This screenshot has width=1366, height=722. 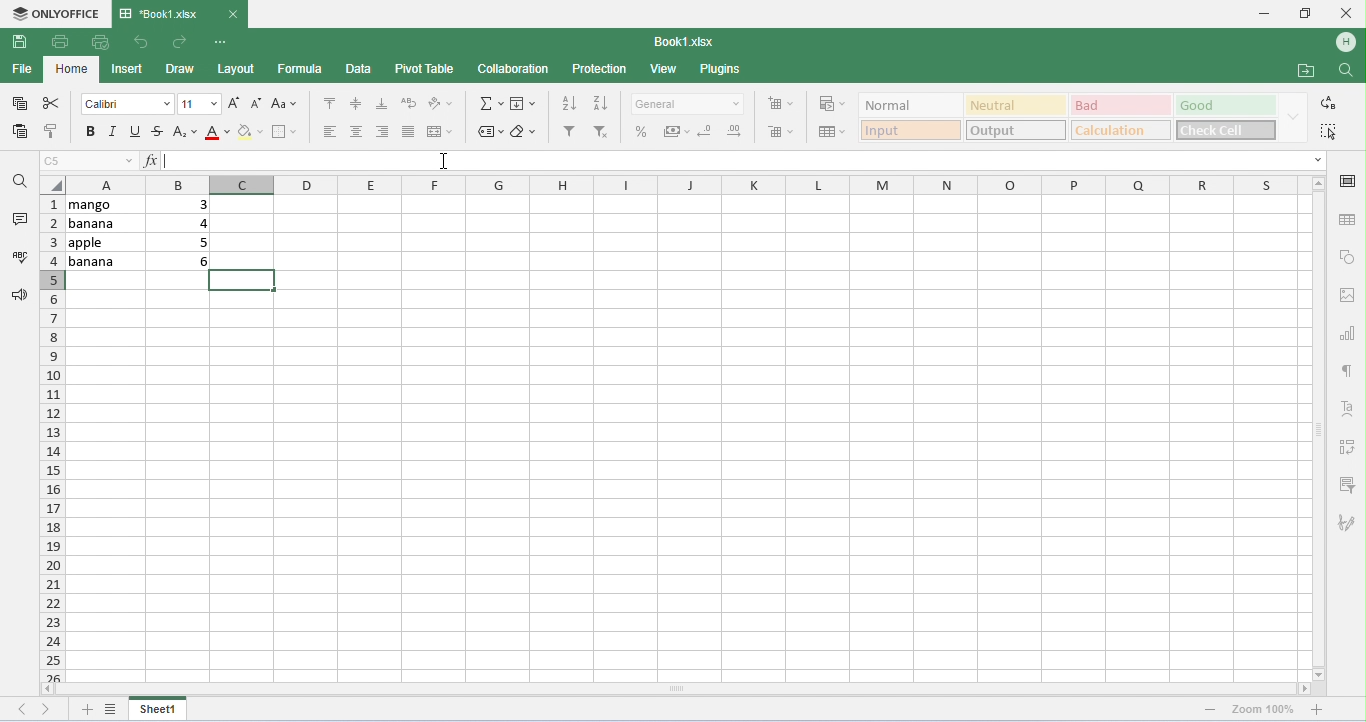 What do you see at coordinates (1344, 408) in the screenshot?
I see `text settings` at bounding box center [1344, 408].